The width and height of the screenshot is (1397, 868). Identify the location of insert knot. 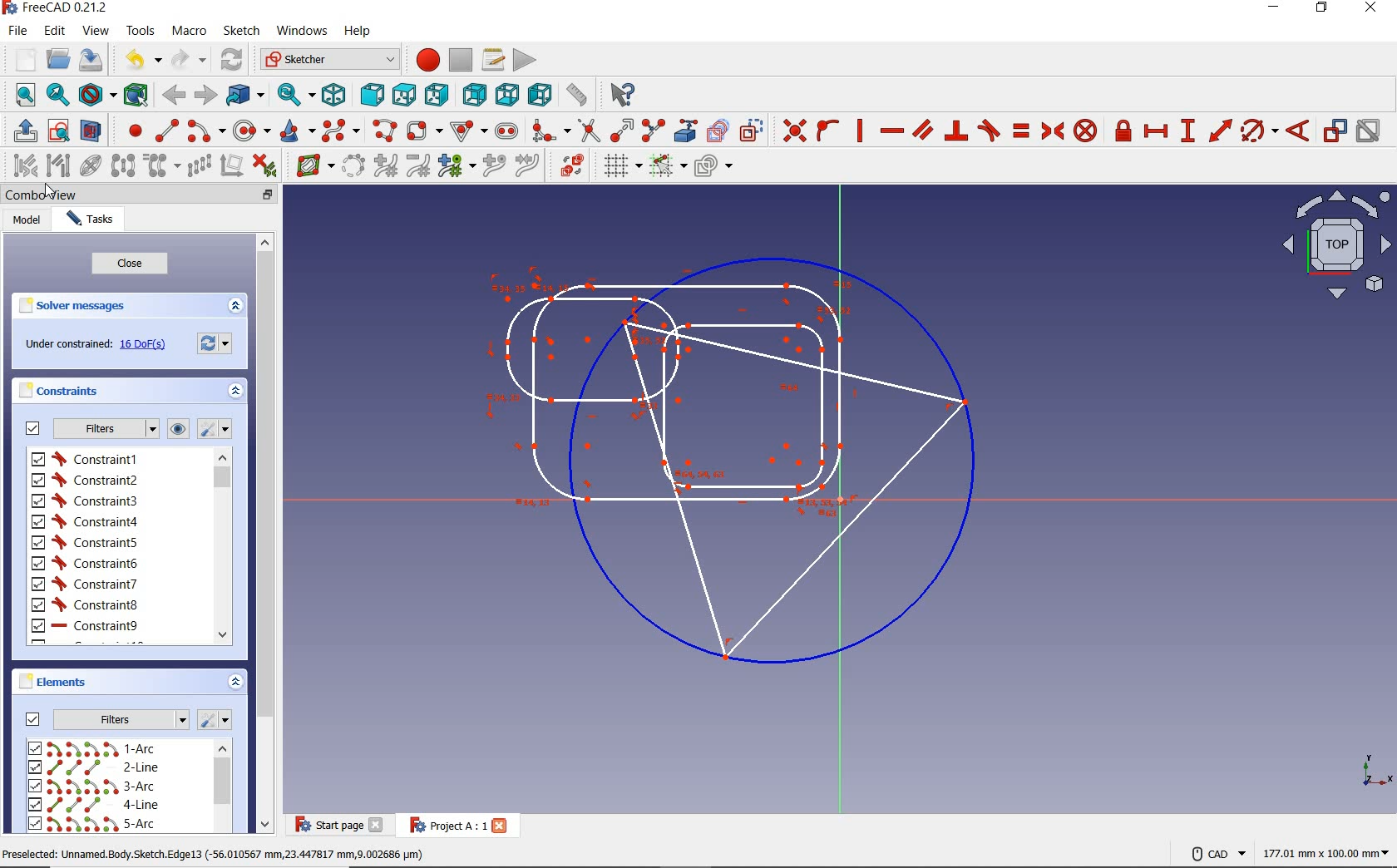
(493, 165).